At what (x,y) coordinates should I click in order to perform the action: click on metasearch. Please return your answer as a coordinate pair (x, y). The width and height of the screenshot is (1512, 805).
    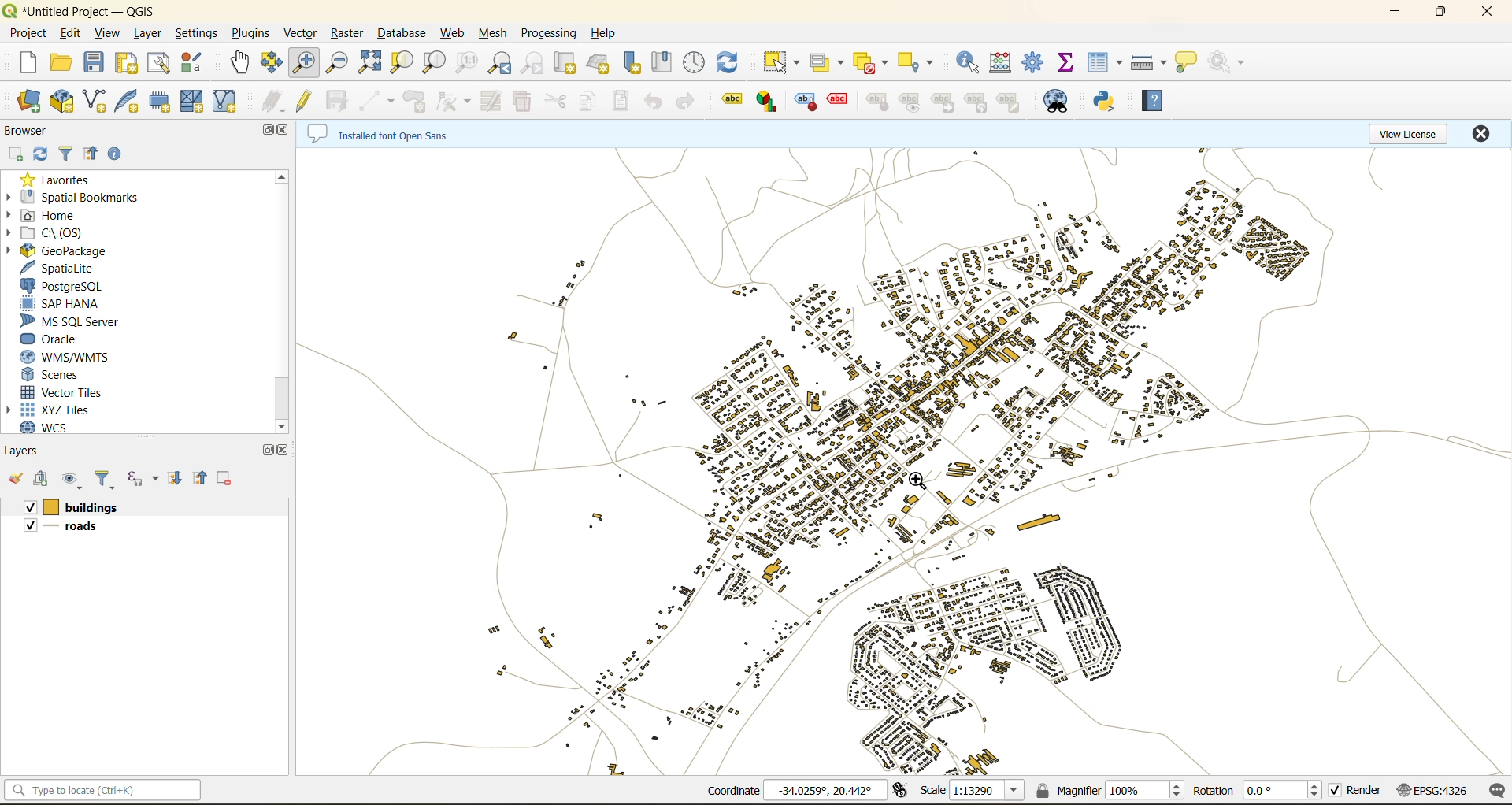
    Looking at the image, I should click on (1062, 101).